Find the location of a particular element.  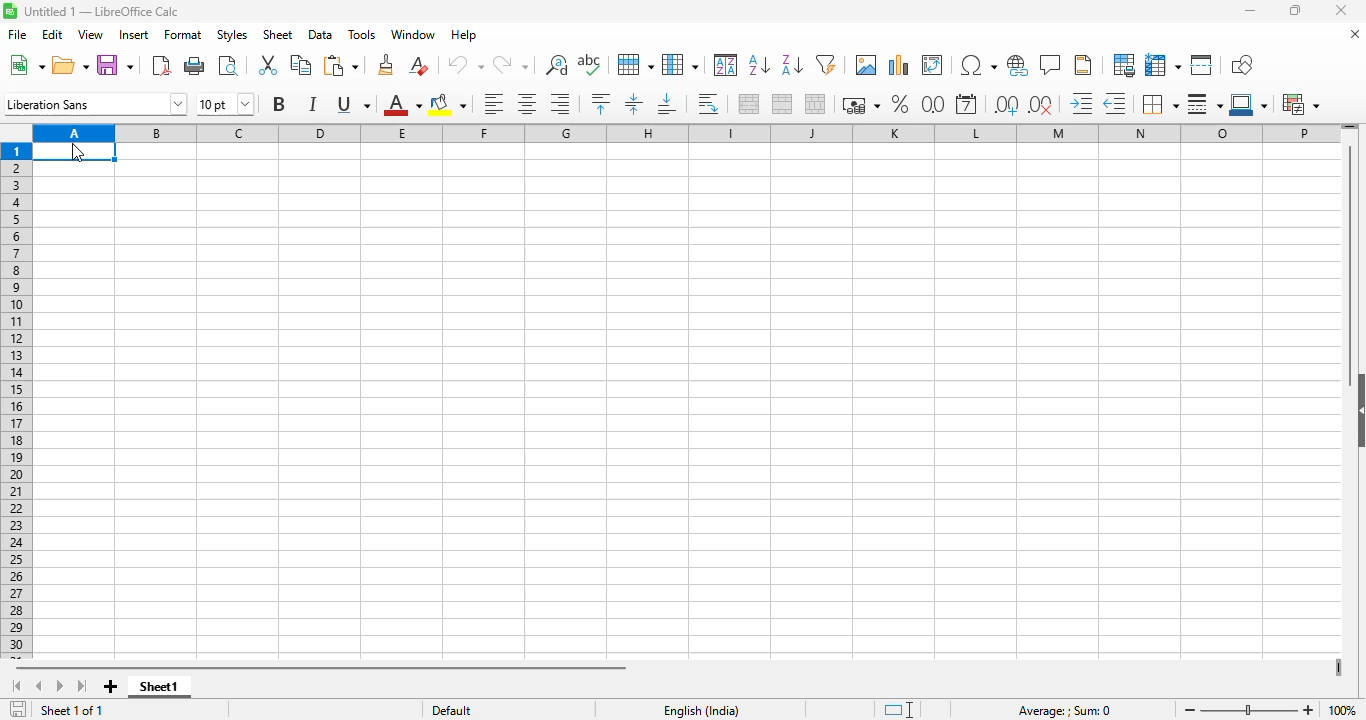

add decimal is located at coordinates (1006, 105).